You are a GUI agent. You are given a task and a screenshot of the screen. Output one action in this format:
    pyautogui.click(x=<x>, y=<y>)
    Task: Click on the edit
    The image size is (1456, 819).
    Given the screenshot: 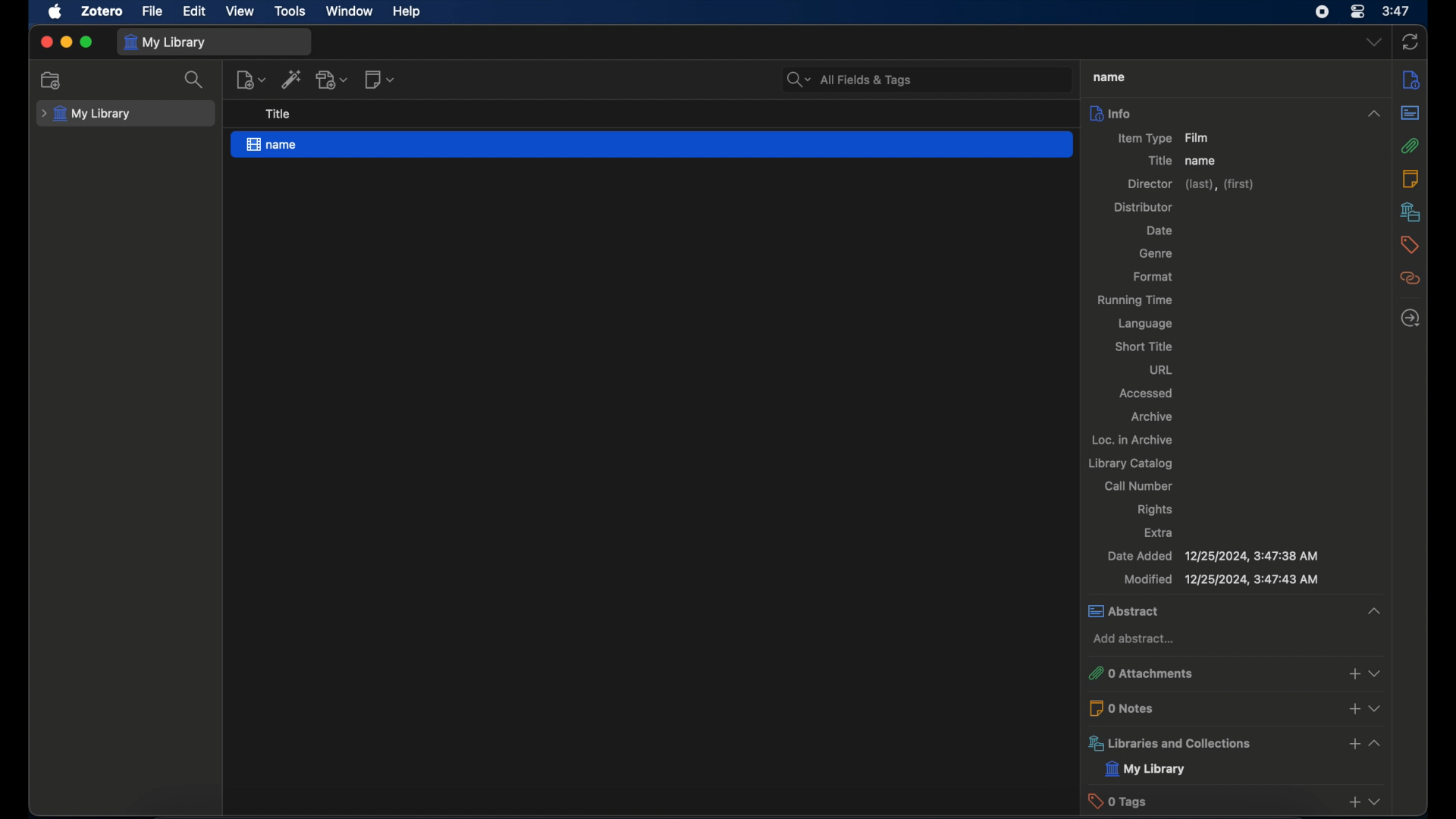 What is the action you would take?
    pyautogui.click(x=196, y=11)
    